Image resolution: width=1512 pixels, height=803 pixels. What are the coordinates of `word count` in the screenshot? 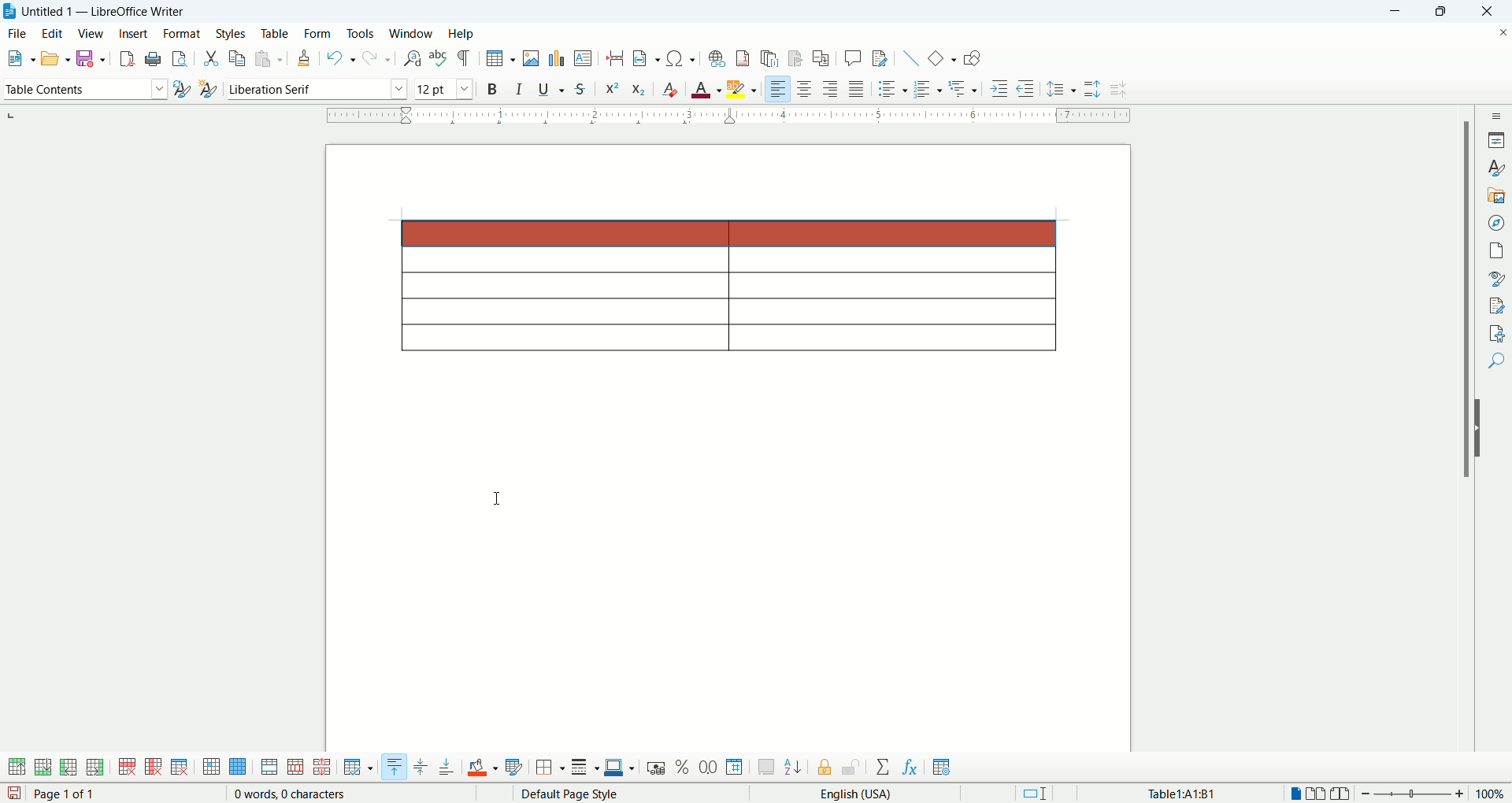 It's located at (292, 794).